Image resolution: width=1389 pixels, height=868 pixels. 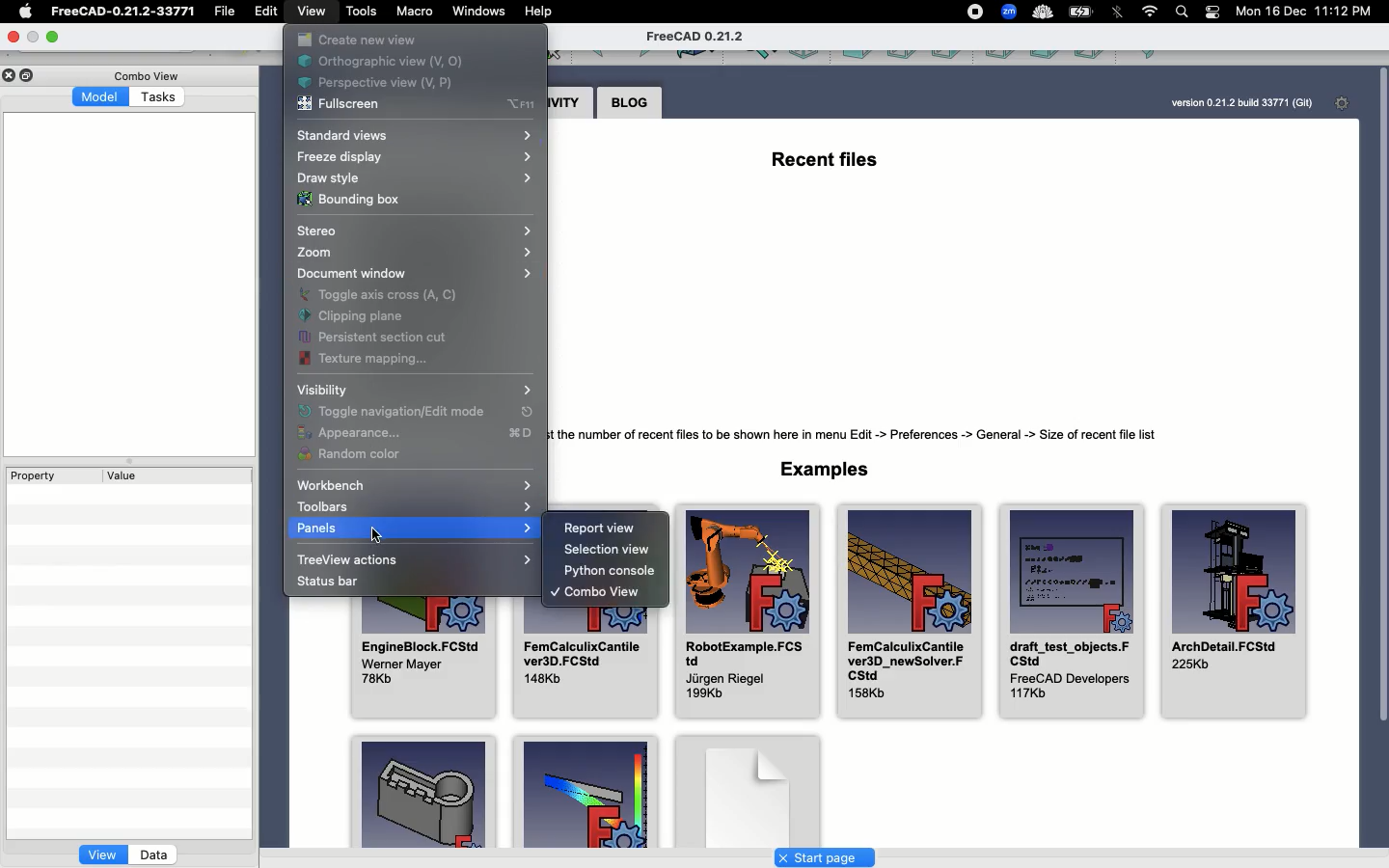 What do you see at coordinates (824, 164) in the screenshot?
I see `Recent files` at bounding box center [824, 164].